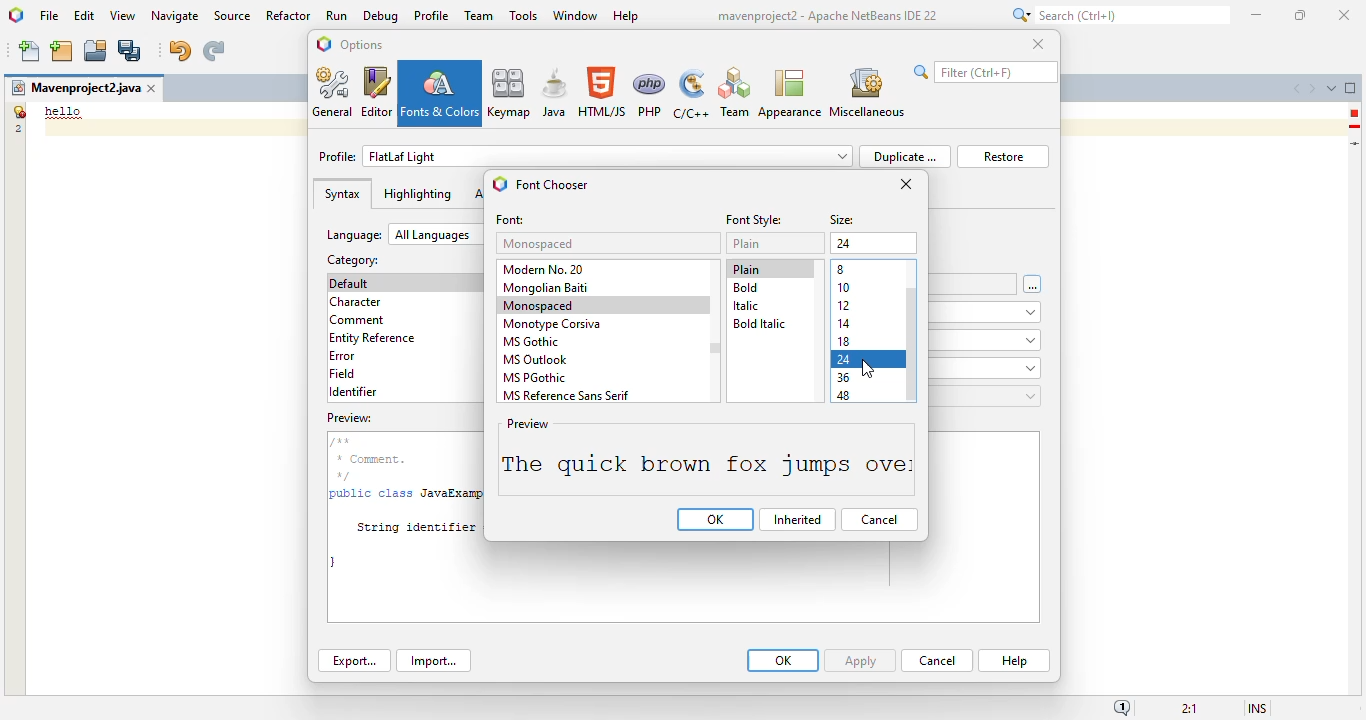  I want to click on syntax, so click(342, 194).